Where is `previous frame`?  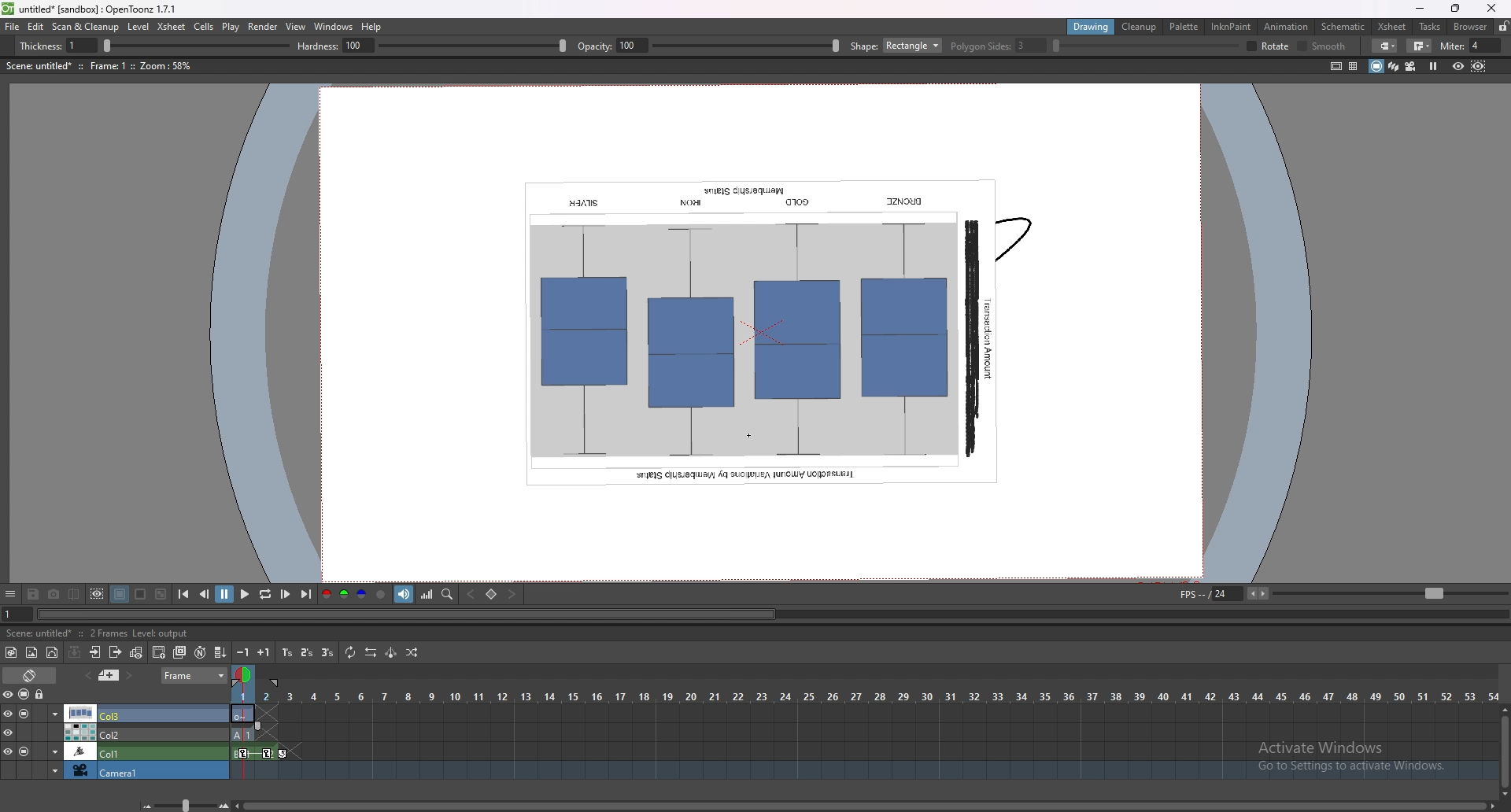 previous frame is located at coordinates (205, 593).